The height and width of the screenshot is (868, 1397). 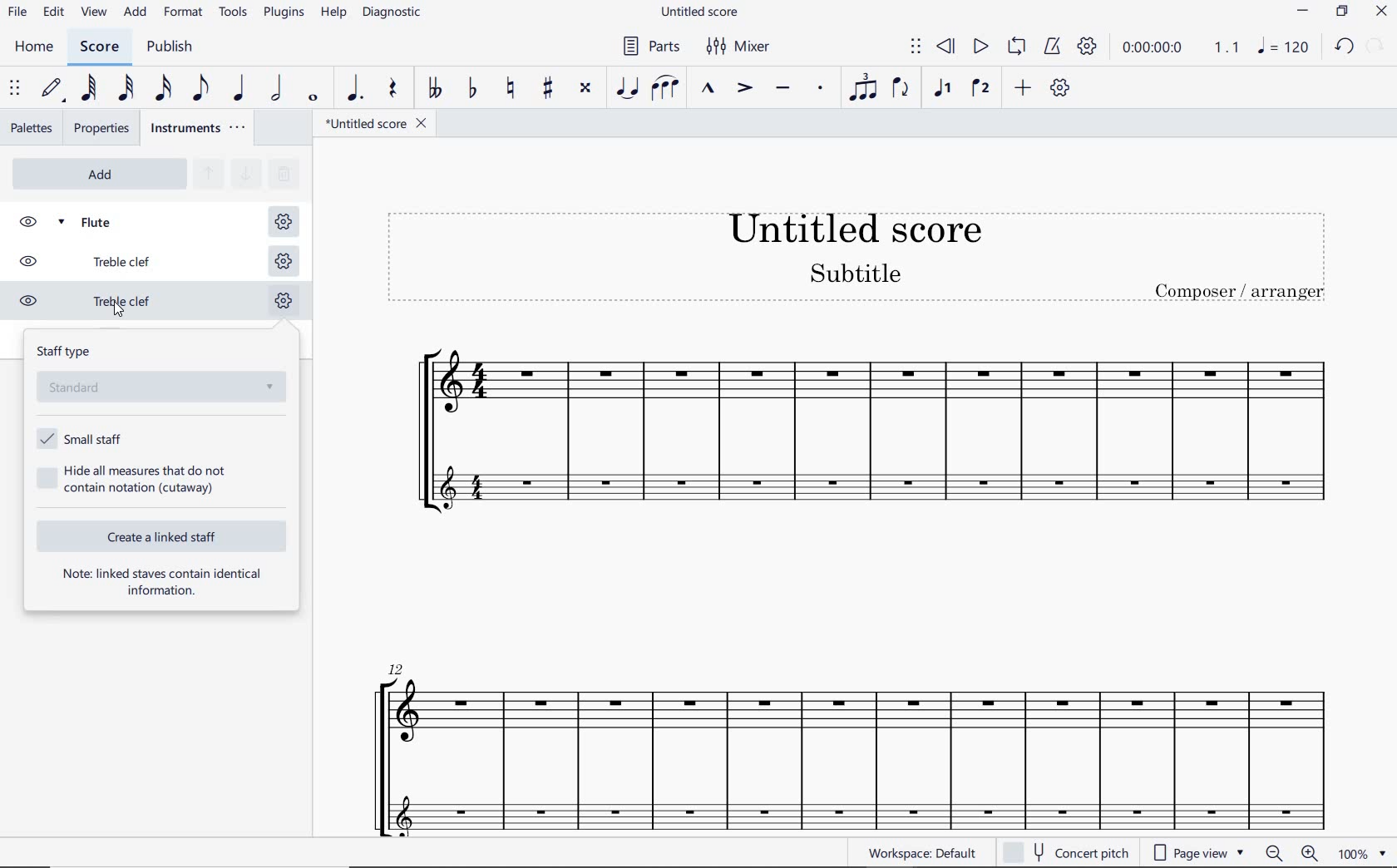 What do you see at coordinates (708, 89) in the screenshot?
I see `MARCATO` at bounding box center [708, 89].